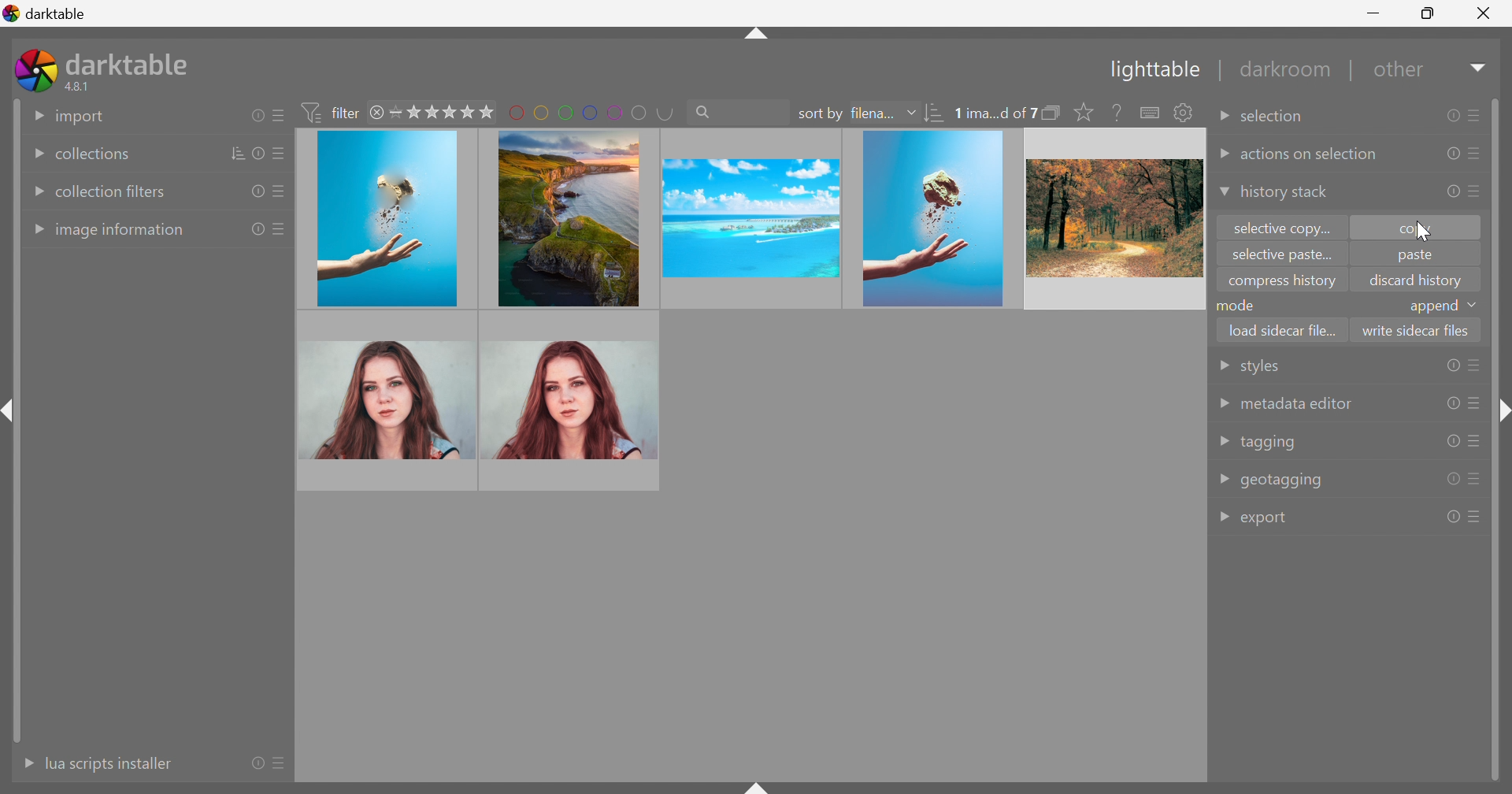  I want to click on Drop Down, so click(1222, 403).